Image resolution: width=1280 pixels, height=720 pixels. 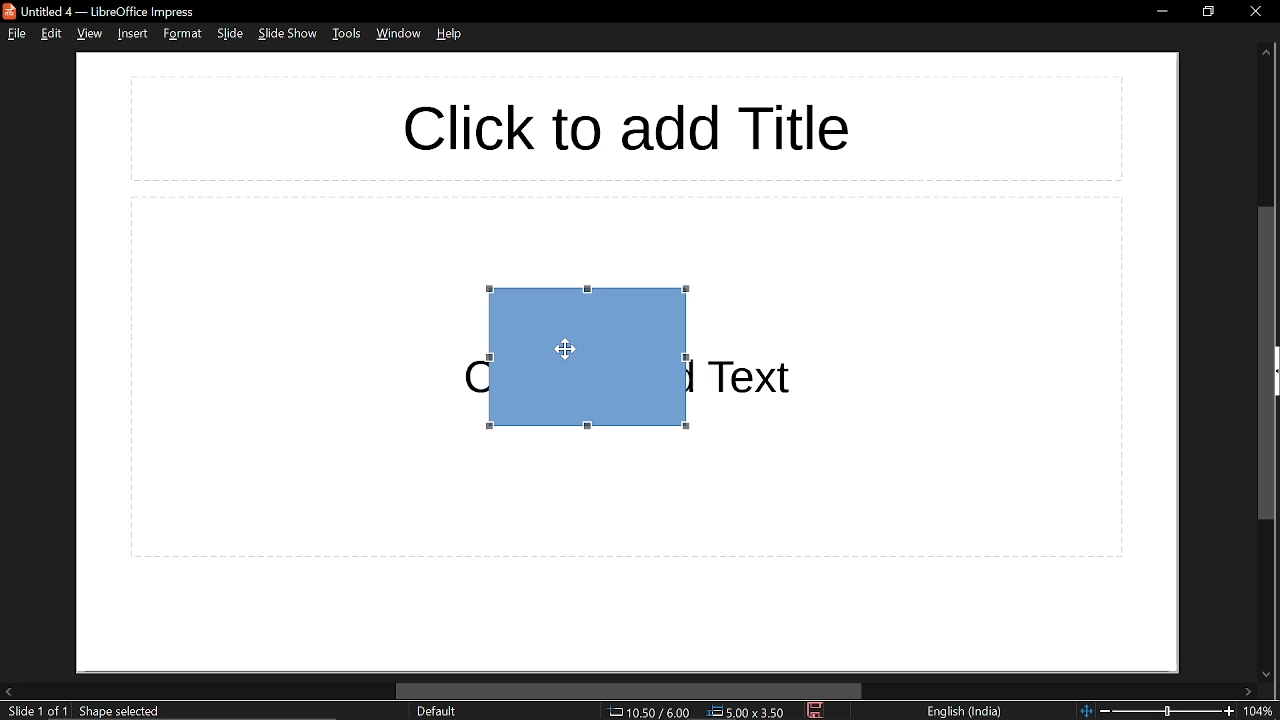 What do you see at coordinates (180, 35) in the screenshot?
I see `format` at bounding box center [180, 35].